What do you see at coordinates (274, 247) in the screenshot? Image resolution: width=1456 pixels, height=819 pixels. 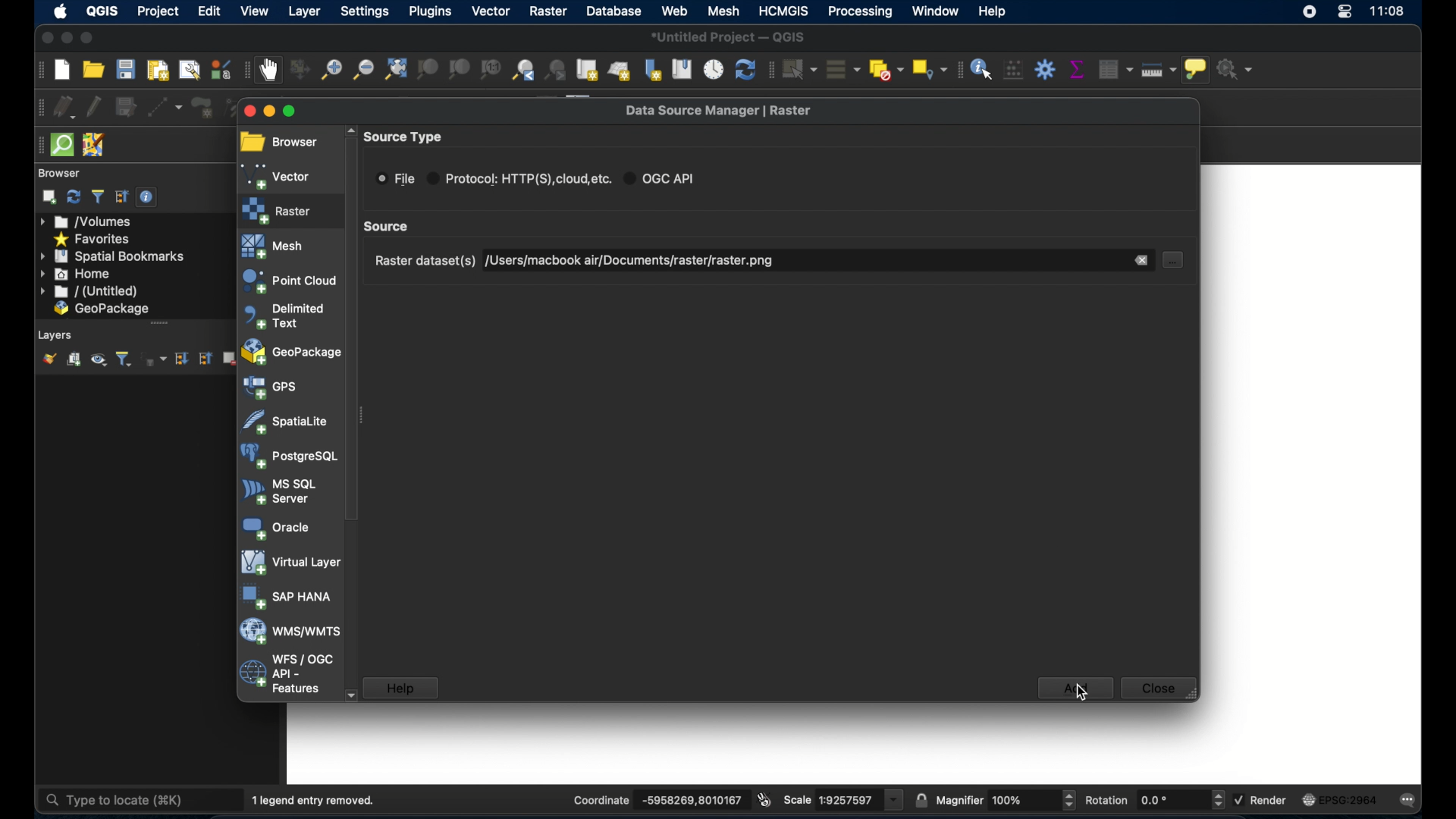 I see `mesh` at bounding box center [274, 247].